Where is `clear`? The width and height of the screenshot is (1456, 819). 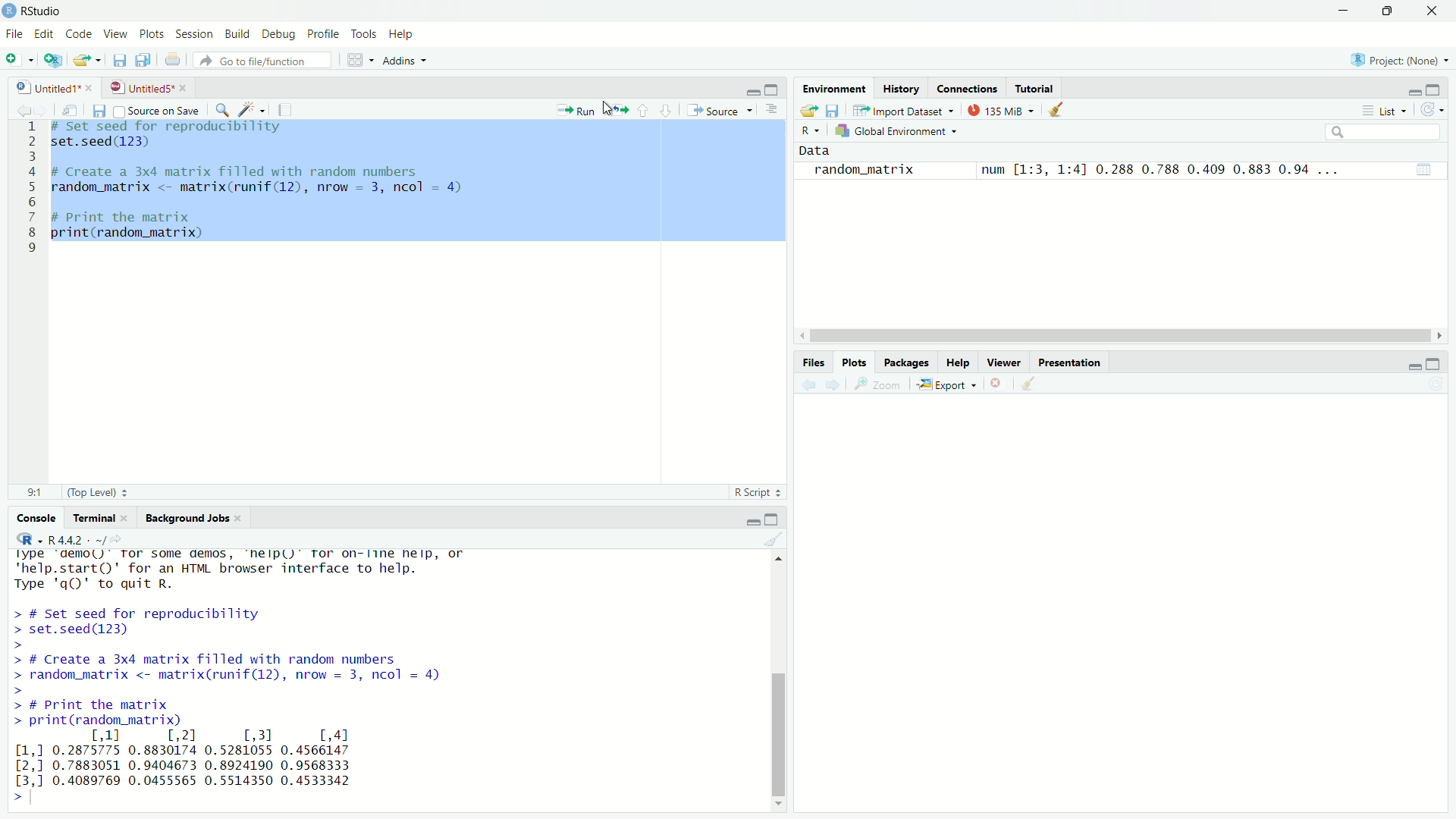
clear is located at coordinates (1057, 111).